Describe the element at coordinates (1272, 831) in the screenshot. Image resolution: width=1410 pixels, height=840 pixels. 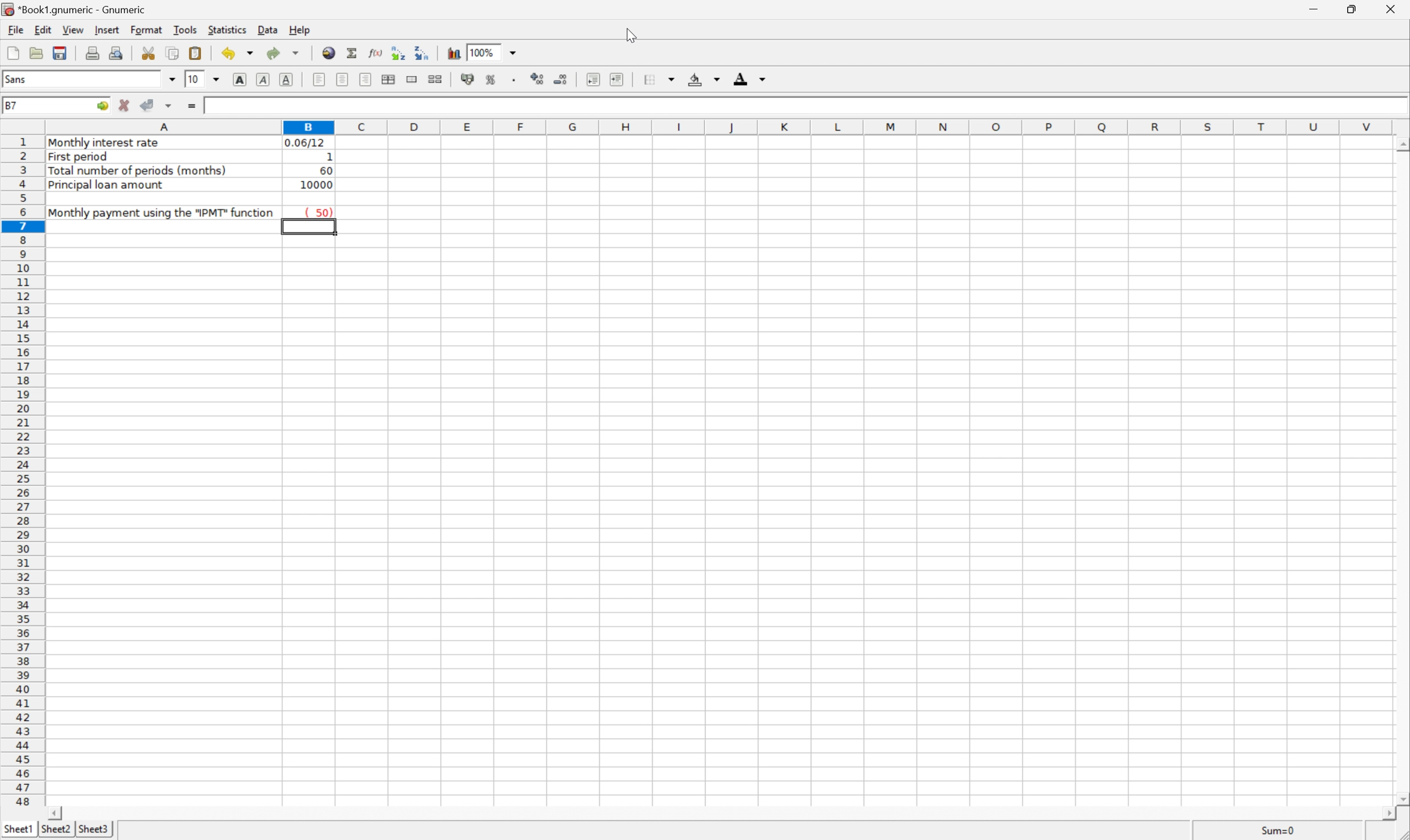
I see `Sum=0` at that location.